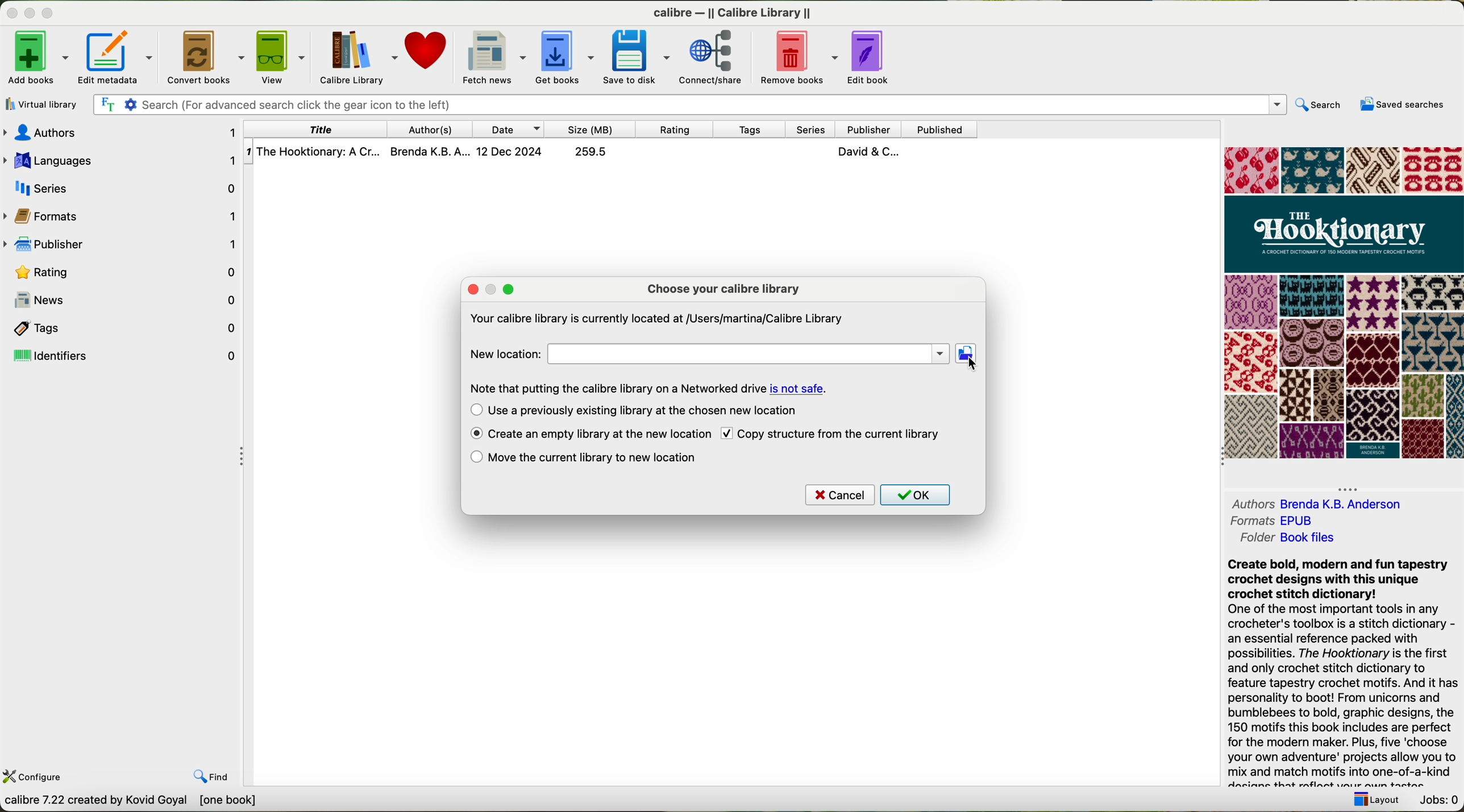 This screenshot has width=1464, height=812. Describe the element at coordinates (868, 56) in the screenshot. I see `edit book` at that location.